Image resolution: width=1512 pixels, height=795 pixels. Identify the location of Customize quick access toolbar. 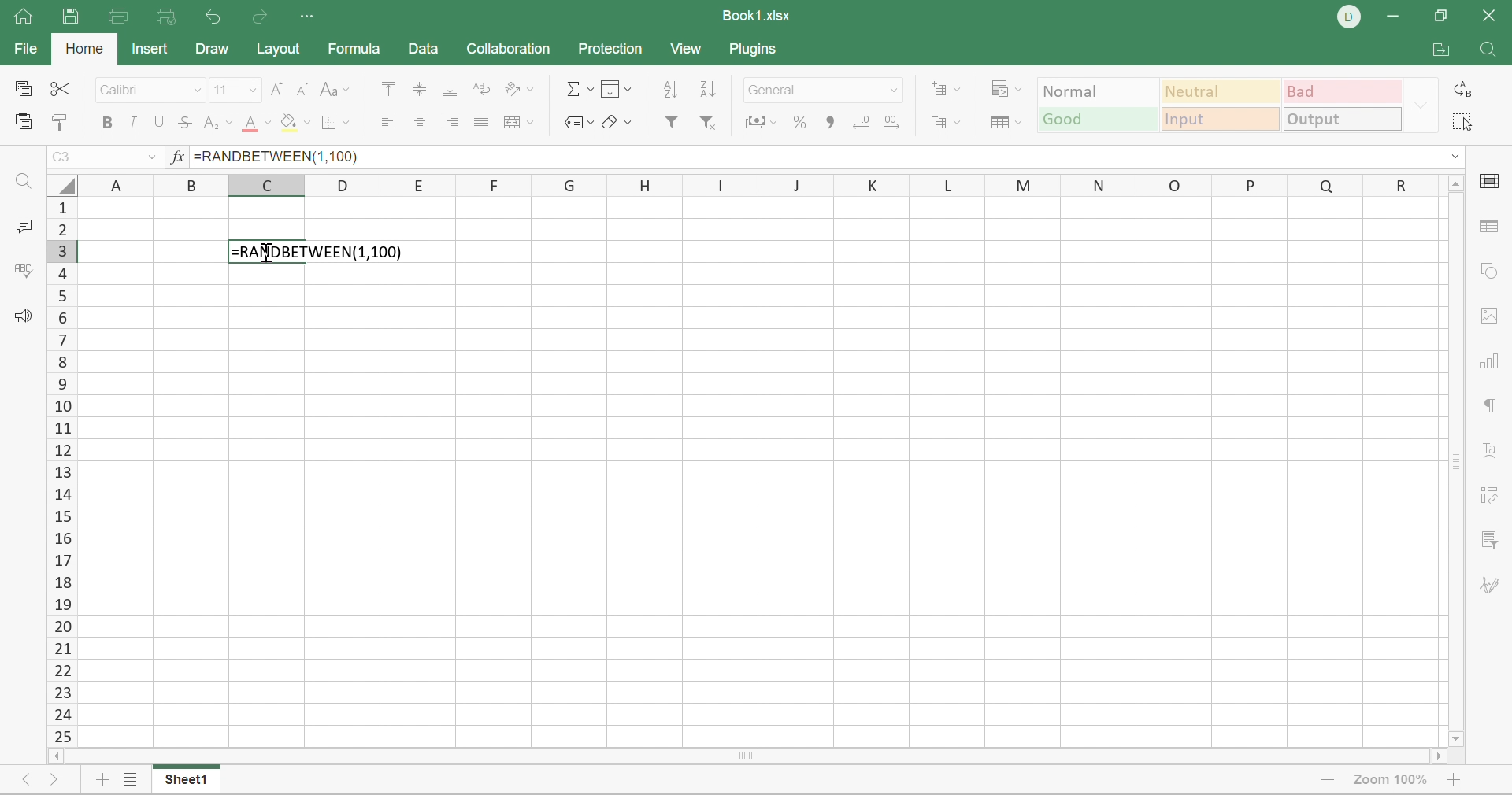
(311, 18).